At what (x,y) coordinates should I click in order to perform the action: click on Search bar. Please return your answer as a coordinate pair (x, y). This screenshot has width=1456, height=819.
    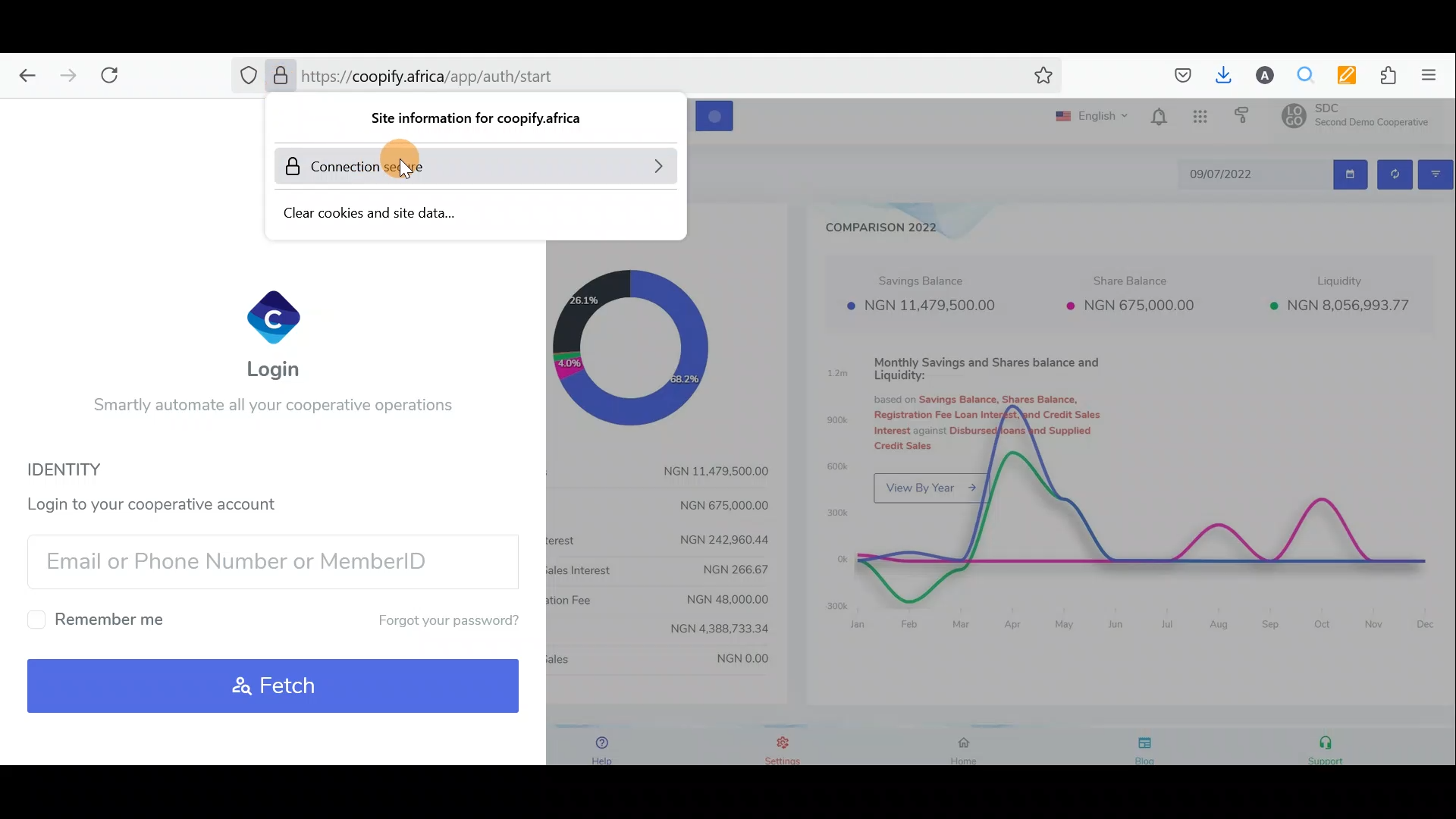
    Looking at the image, I should click on (473, 80).